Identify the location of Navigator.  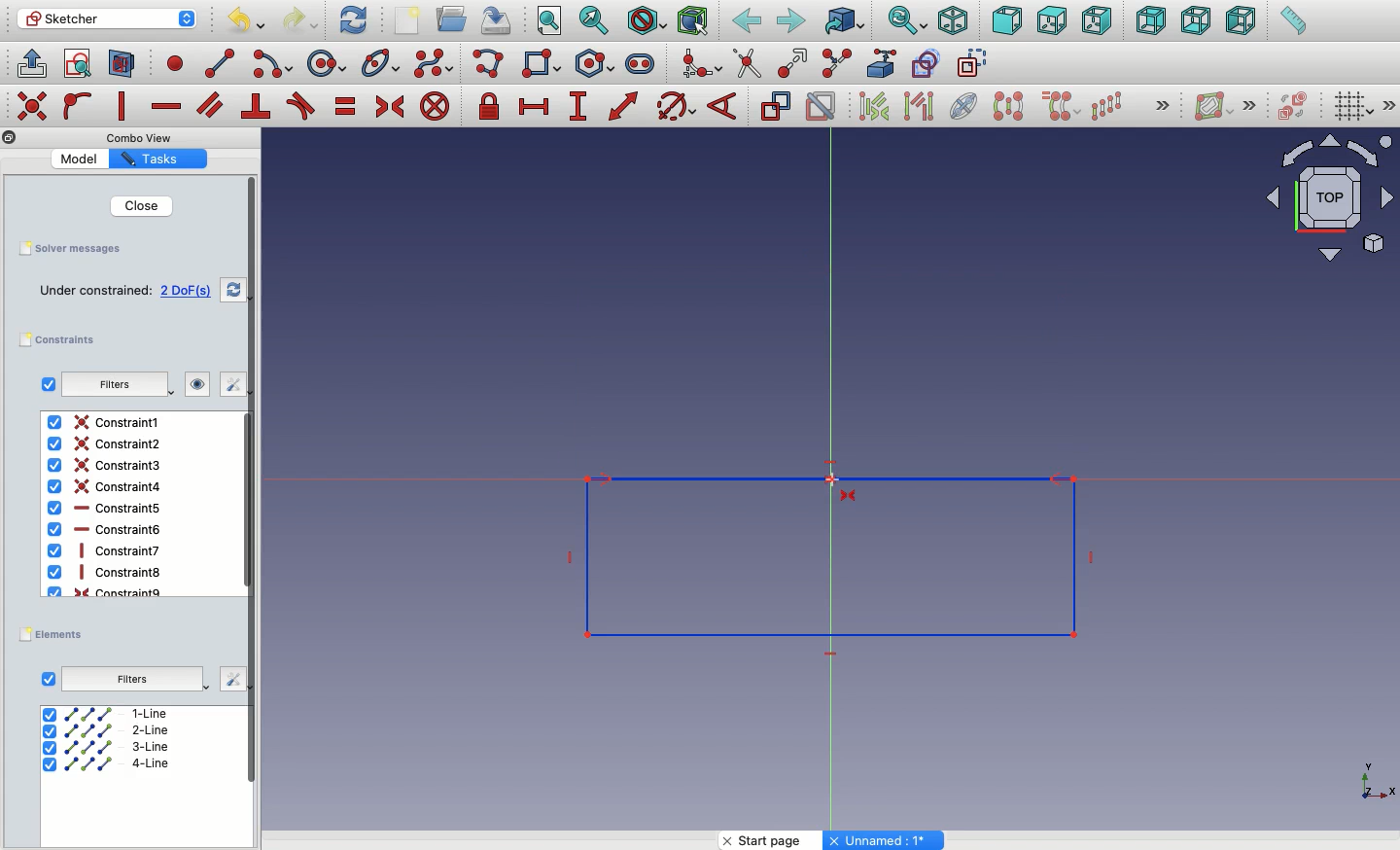
(1330, 198).